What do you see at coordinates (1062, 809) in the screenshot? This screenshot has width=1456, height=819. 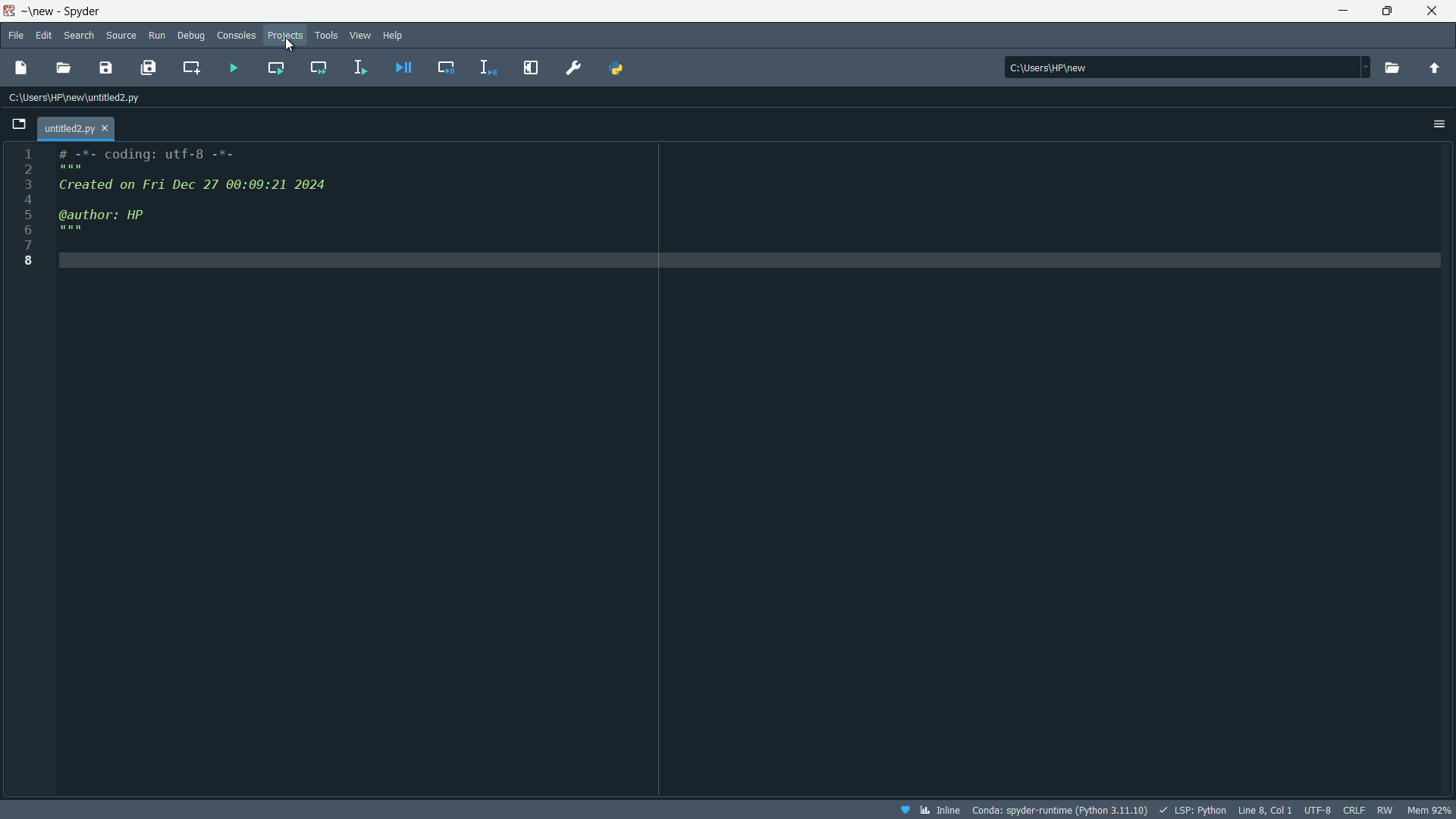 I see `interpreter` at bounding box center [1062, 809].